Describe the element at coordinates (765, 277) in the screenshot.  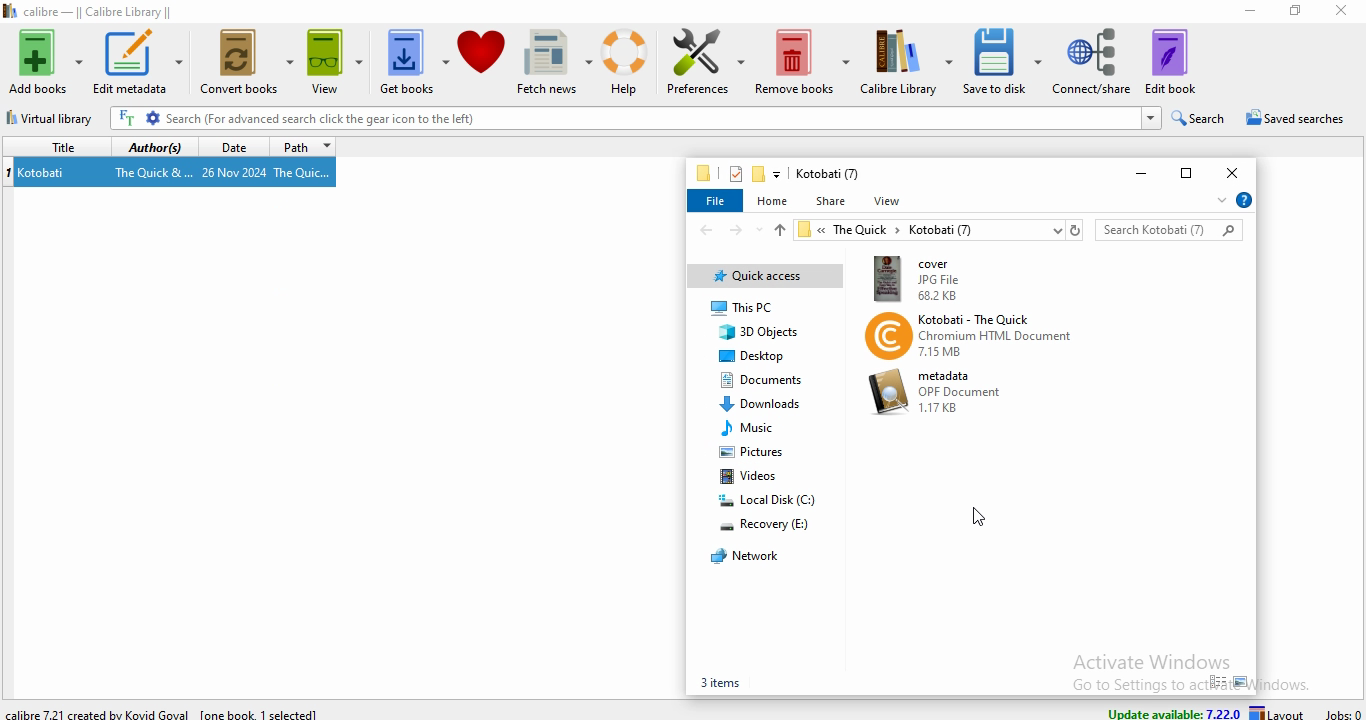
I see `quick access` at that location.